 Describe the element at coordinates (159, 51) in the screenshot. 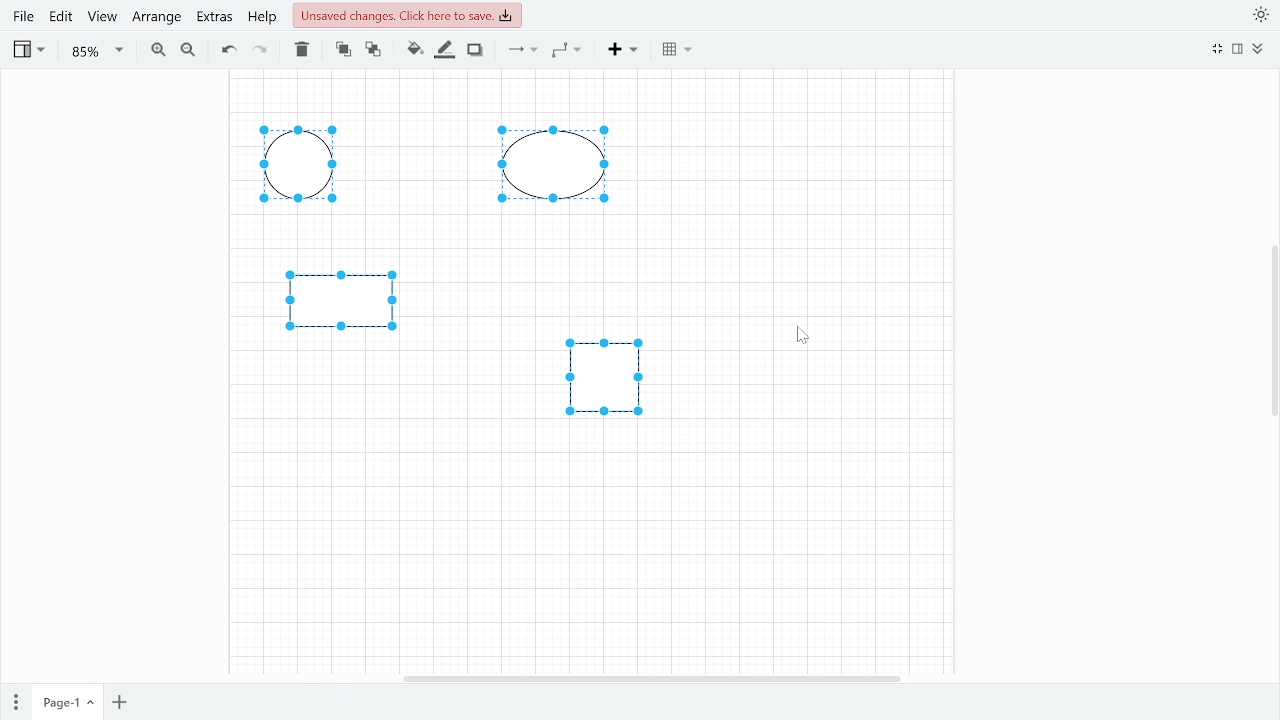

I see `Zoom in` at that location.